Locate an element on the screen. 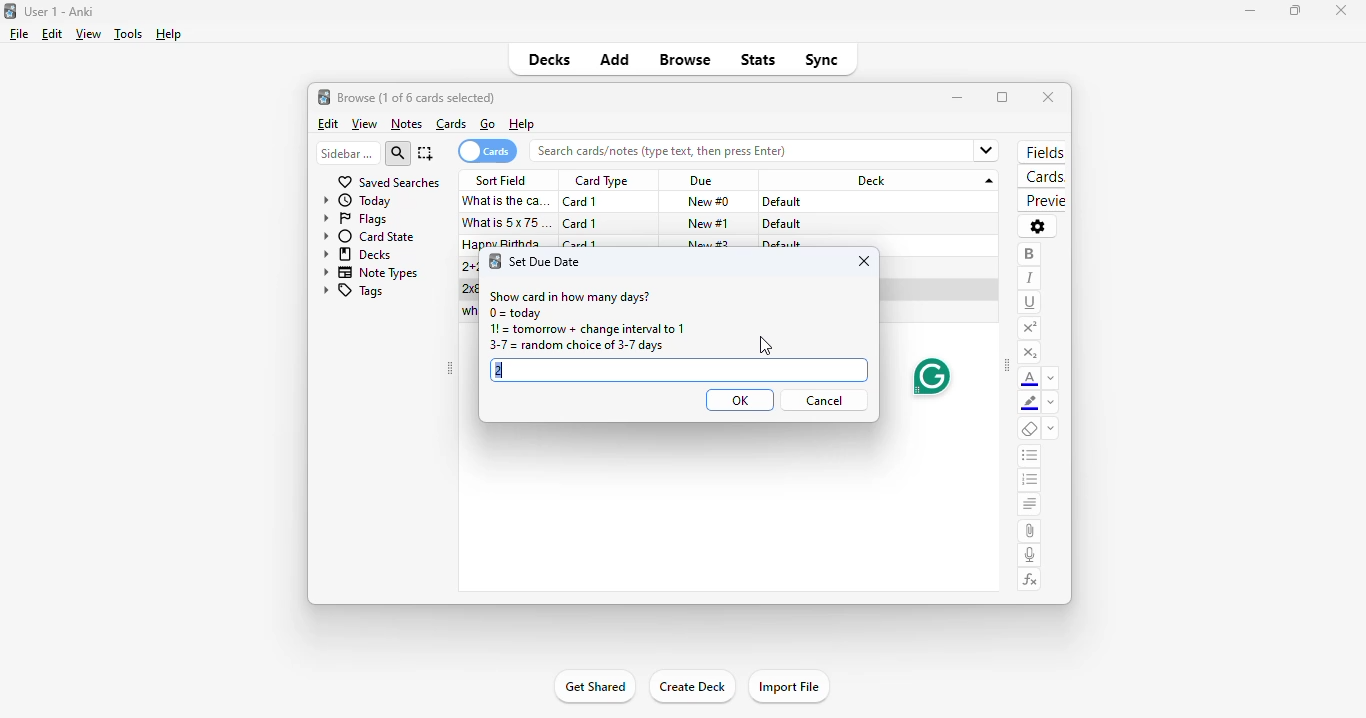 The image size is (1366, 718). flags is located at coordinates (355, 220).